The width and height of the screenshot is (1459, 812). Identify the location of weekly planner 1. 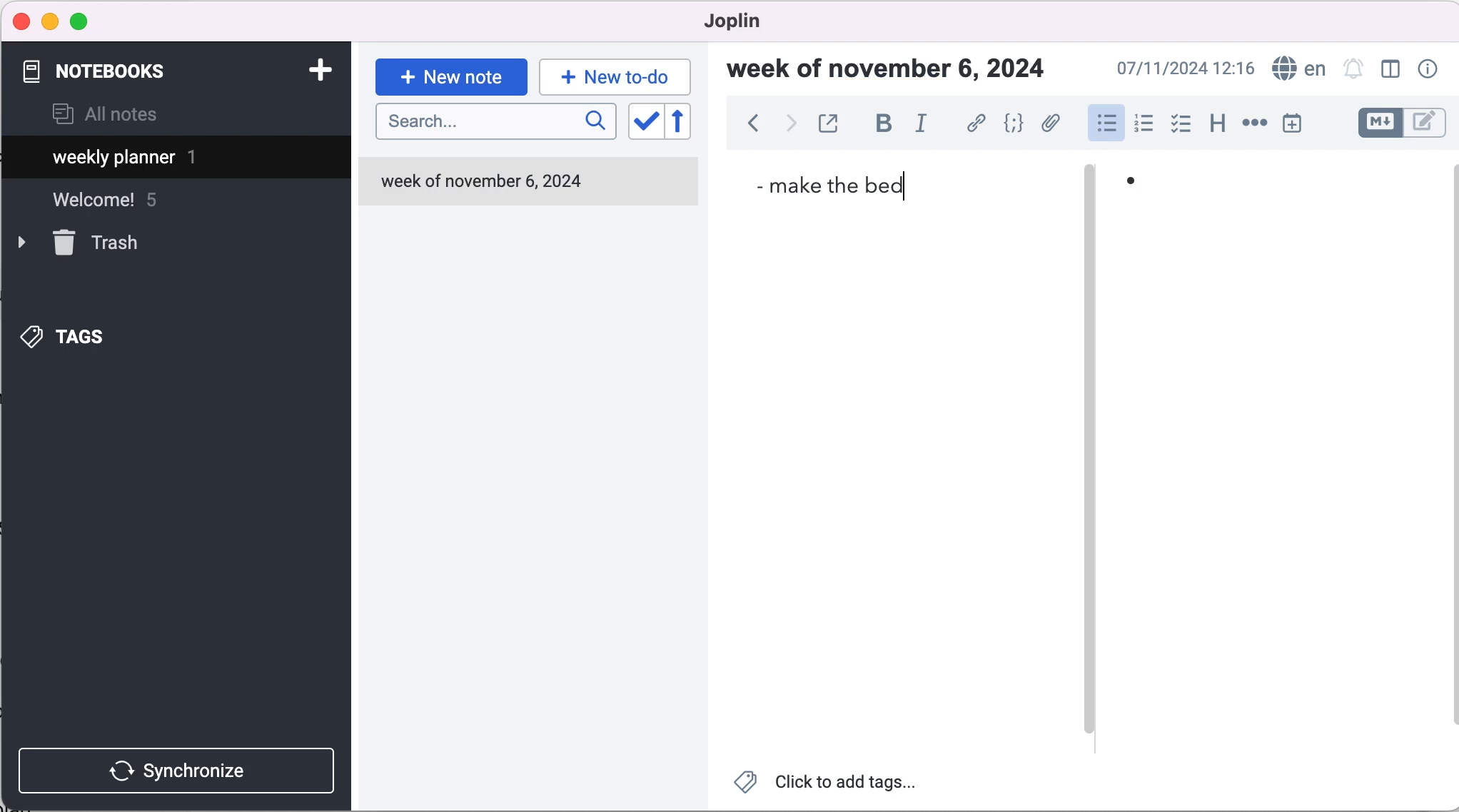
(164, 159).